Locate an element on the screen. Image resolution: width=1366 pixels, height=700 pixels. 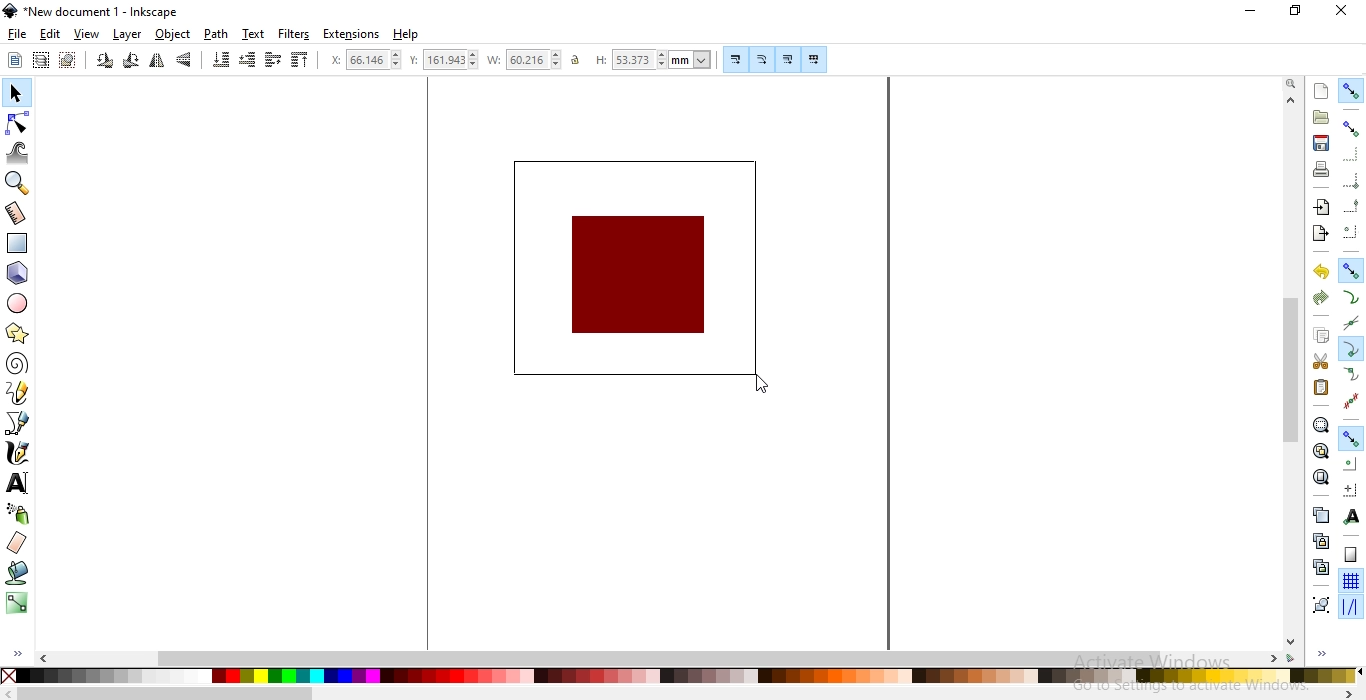
draw freehand lines is located at coordinates (17, 393).